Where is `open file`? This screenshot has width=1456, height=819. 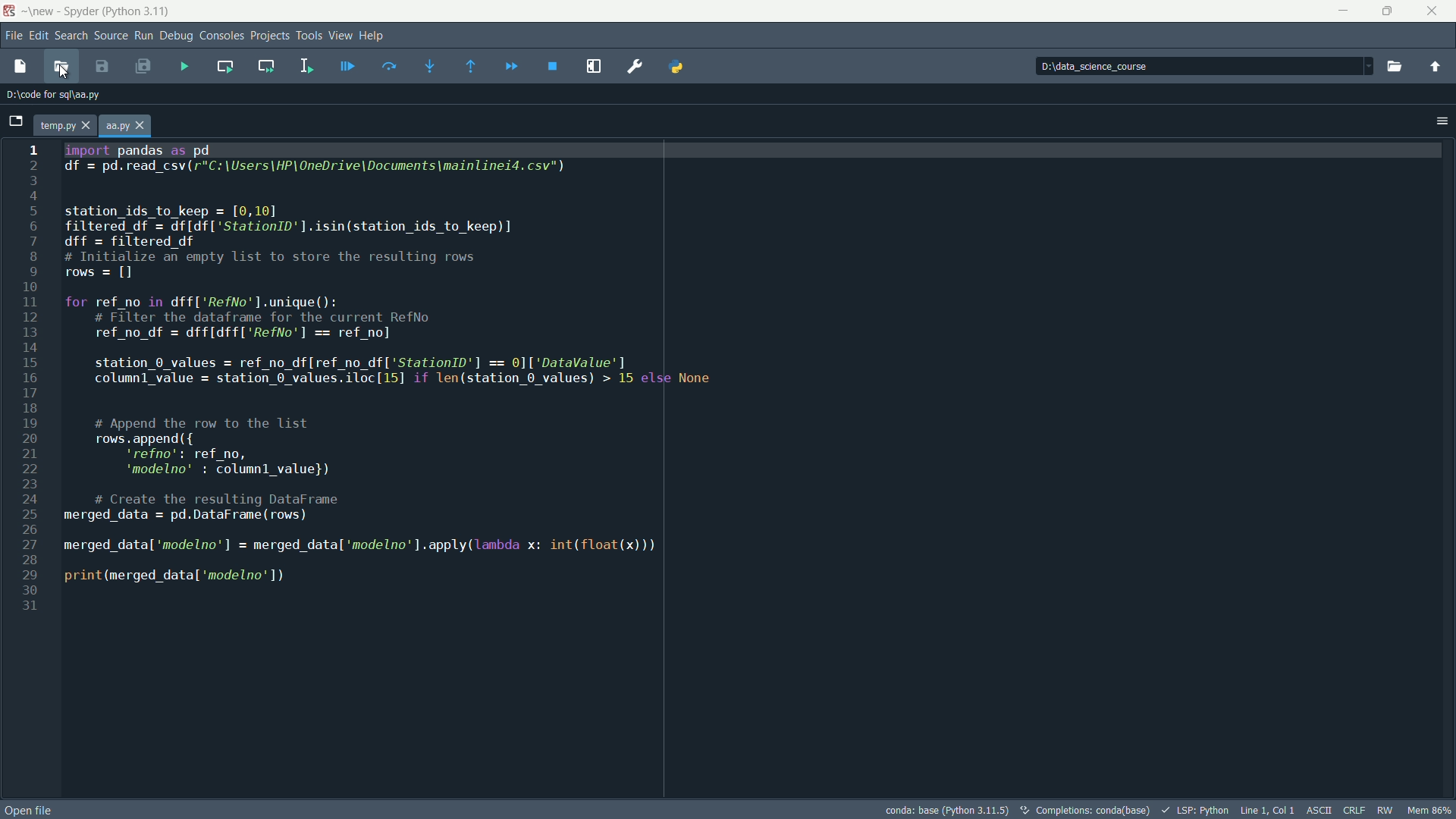 open file is located at coordinates (36, 809).